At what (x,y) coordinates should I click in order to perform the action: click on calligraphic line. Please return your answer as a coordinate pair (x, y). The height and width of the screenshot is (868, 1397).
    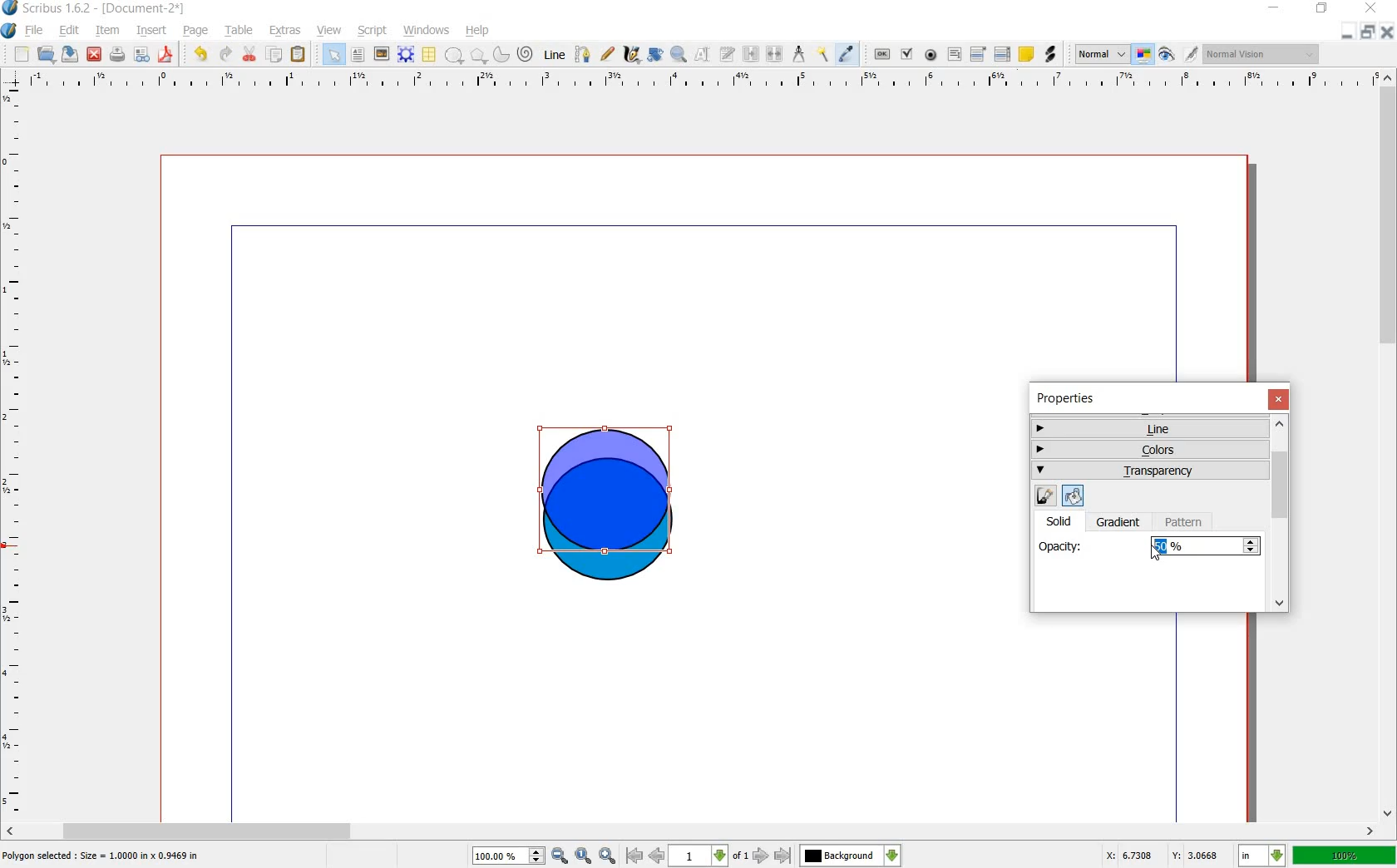
    Looking at the image, I should click on (631, 57).